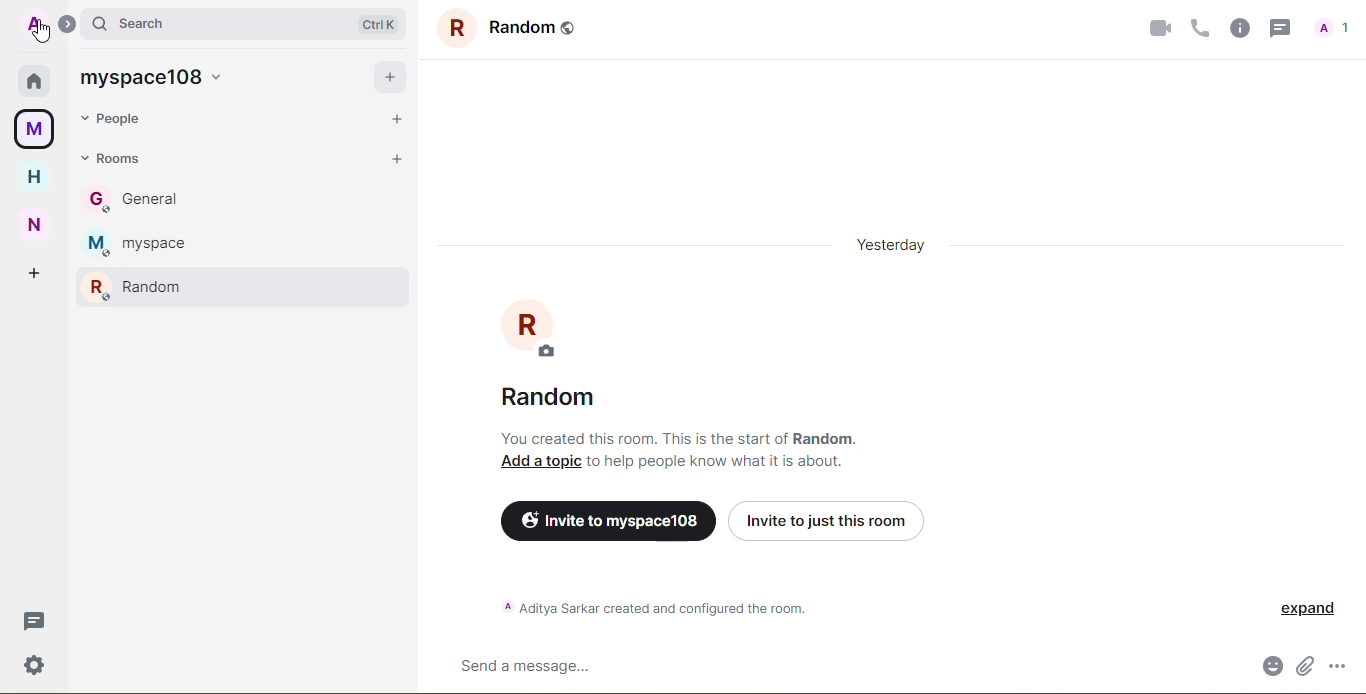  What do you see at coordinates (1305, 666) in the screenshot?
I see `attach` at bounding box center [1305, 666].